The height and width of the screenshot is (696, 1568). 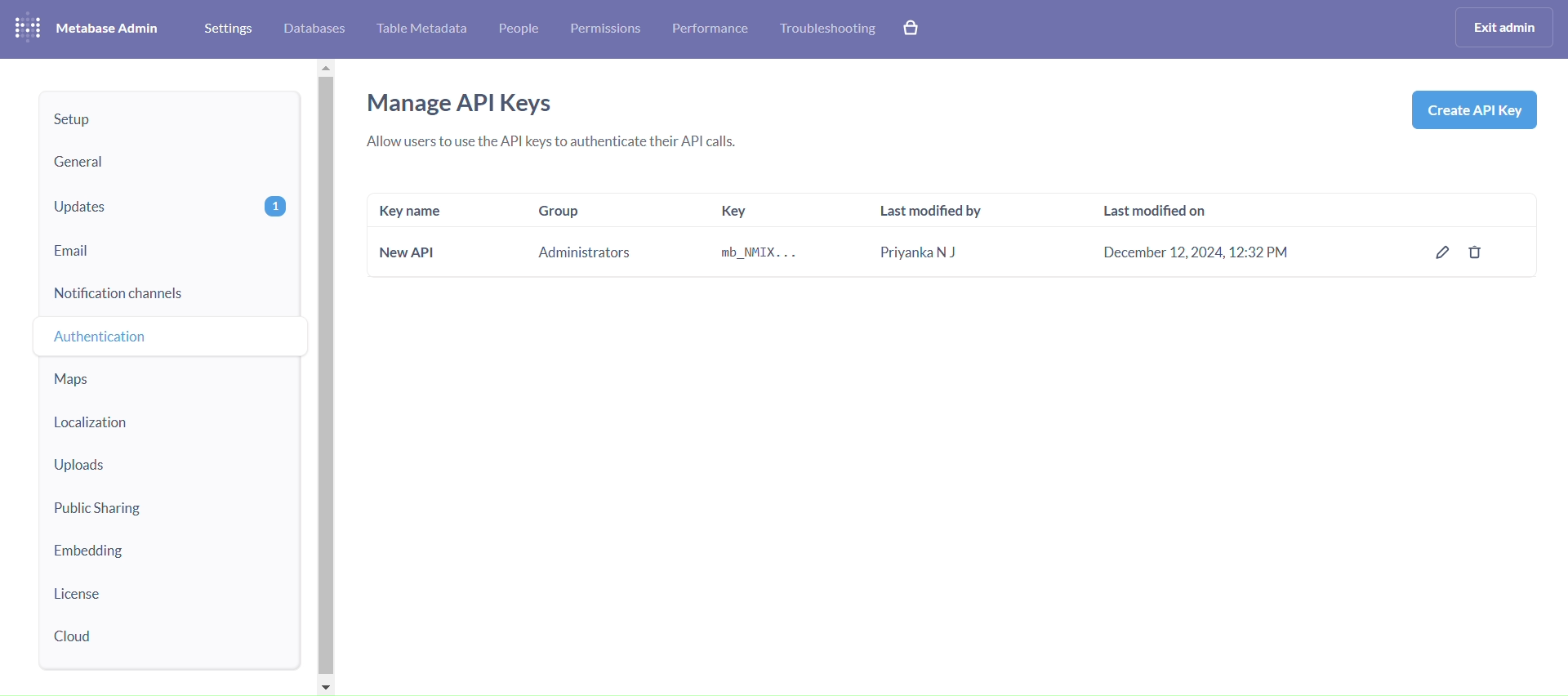 What do you see at coordinates (167, 593) in the screenshot?
I see `license` at bounding box center [167, 593].